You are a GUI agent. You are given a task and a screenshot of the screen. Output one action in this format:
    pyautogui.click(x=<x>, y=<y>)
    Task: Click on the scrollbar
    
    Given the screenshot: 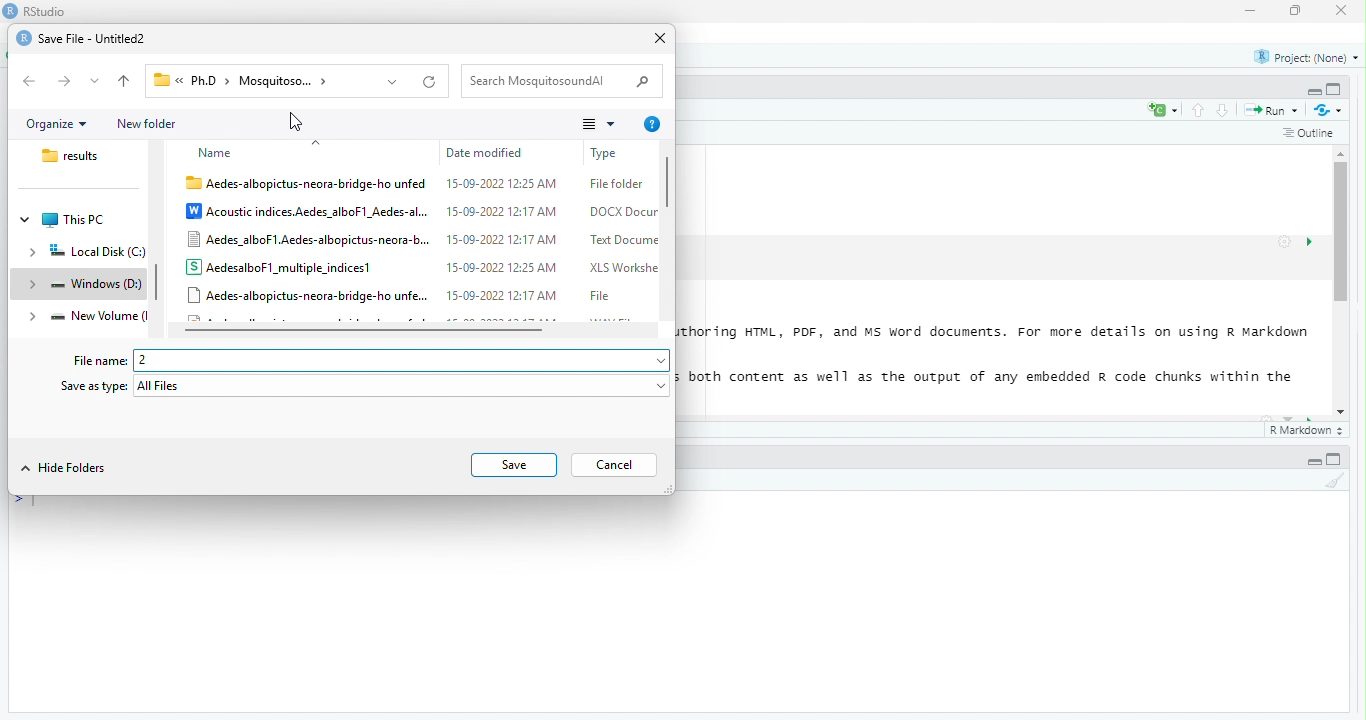 What is the action you would take?
    pyautogui.click(x=1342, y=282)
    